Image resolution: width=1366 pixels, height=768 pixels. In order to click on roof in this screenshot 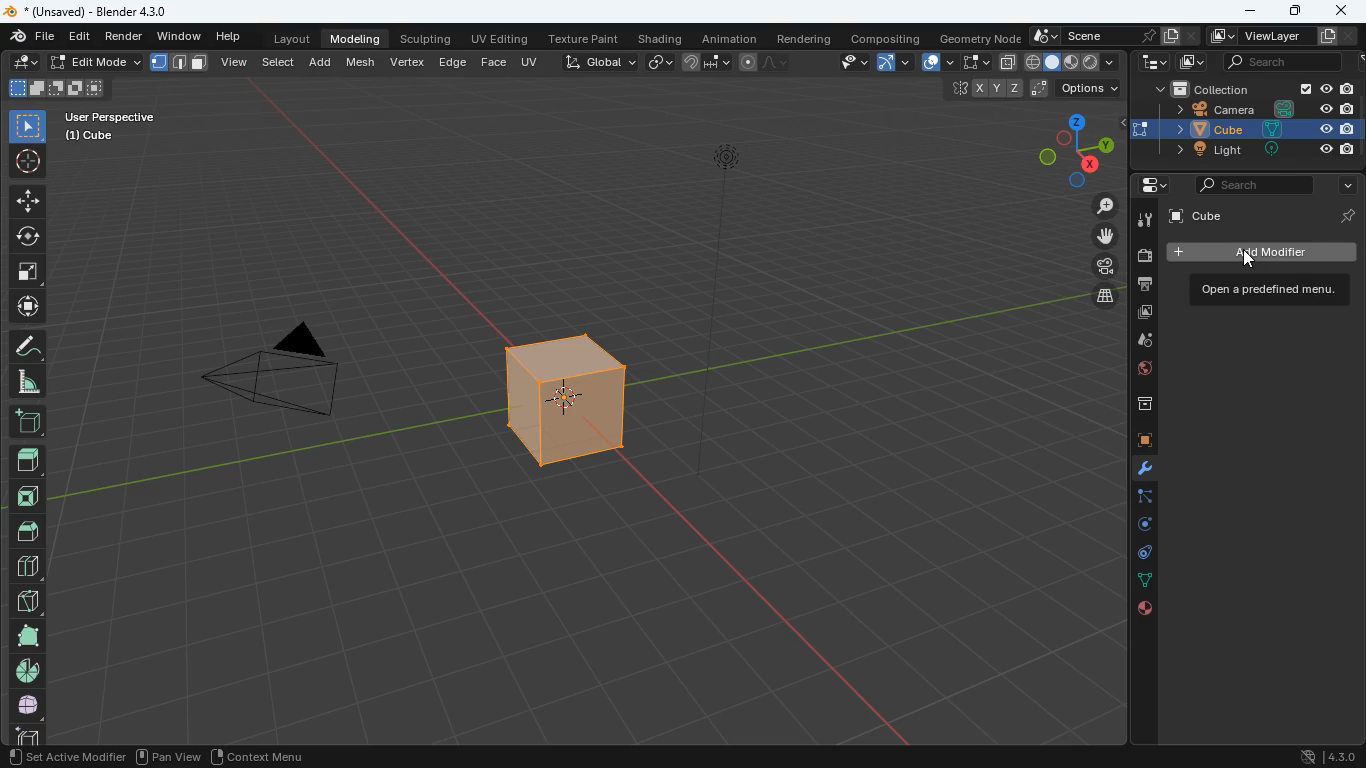, I will do `click(27, 533)`.